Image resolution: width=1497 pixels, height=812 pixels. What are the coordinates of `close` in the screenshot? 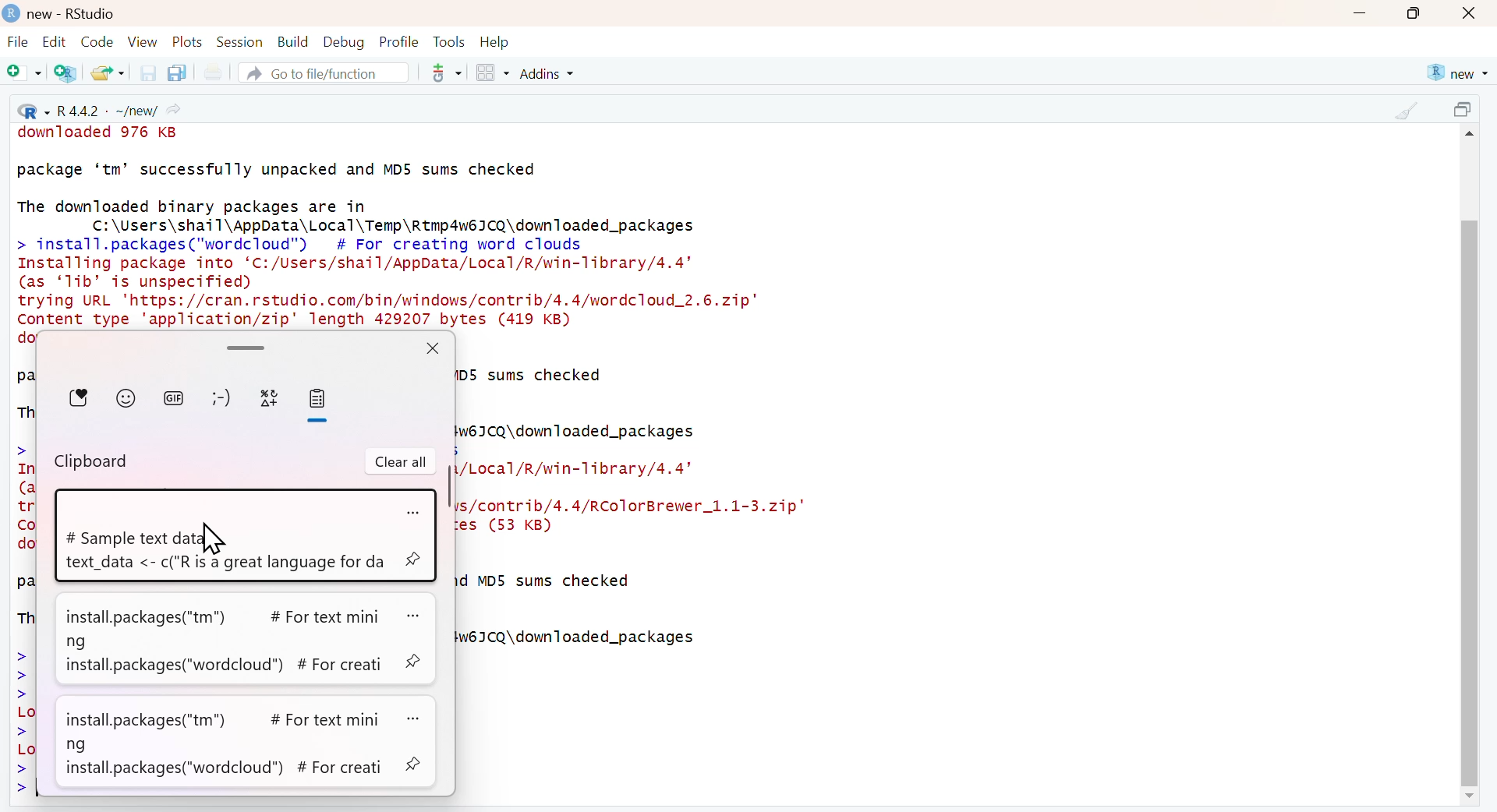 It's located at (433, 346).